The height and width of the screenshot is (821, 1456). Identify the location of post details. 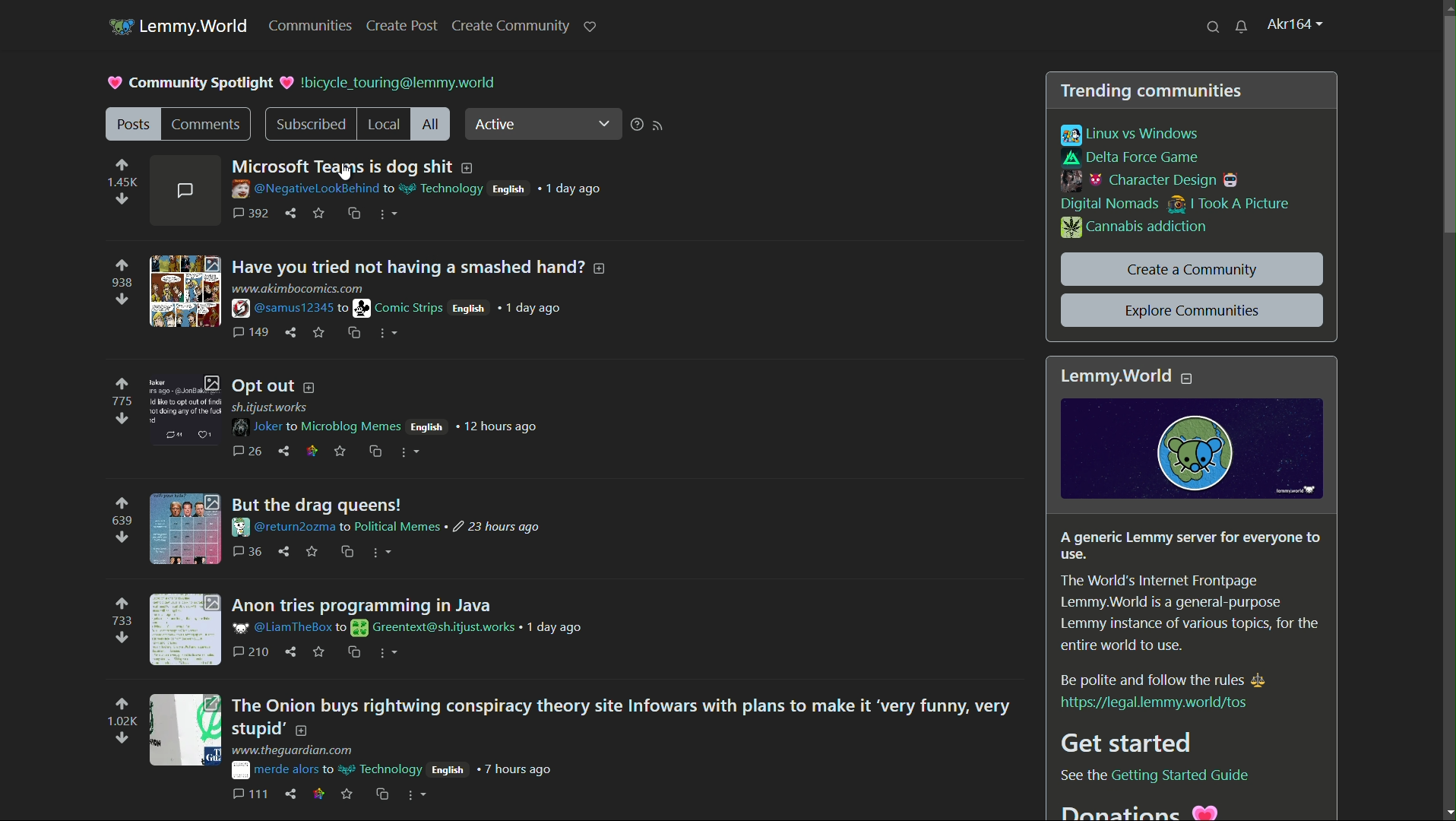
(394, 528).